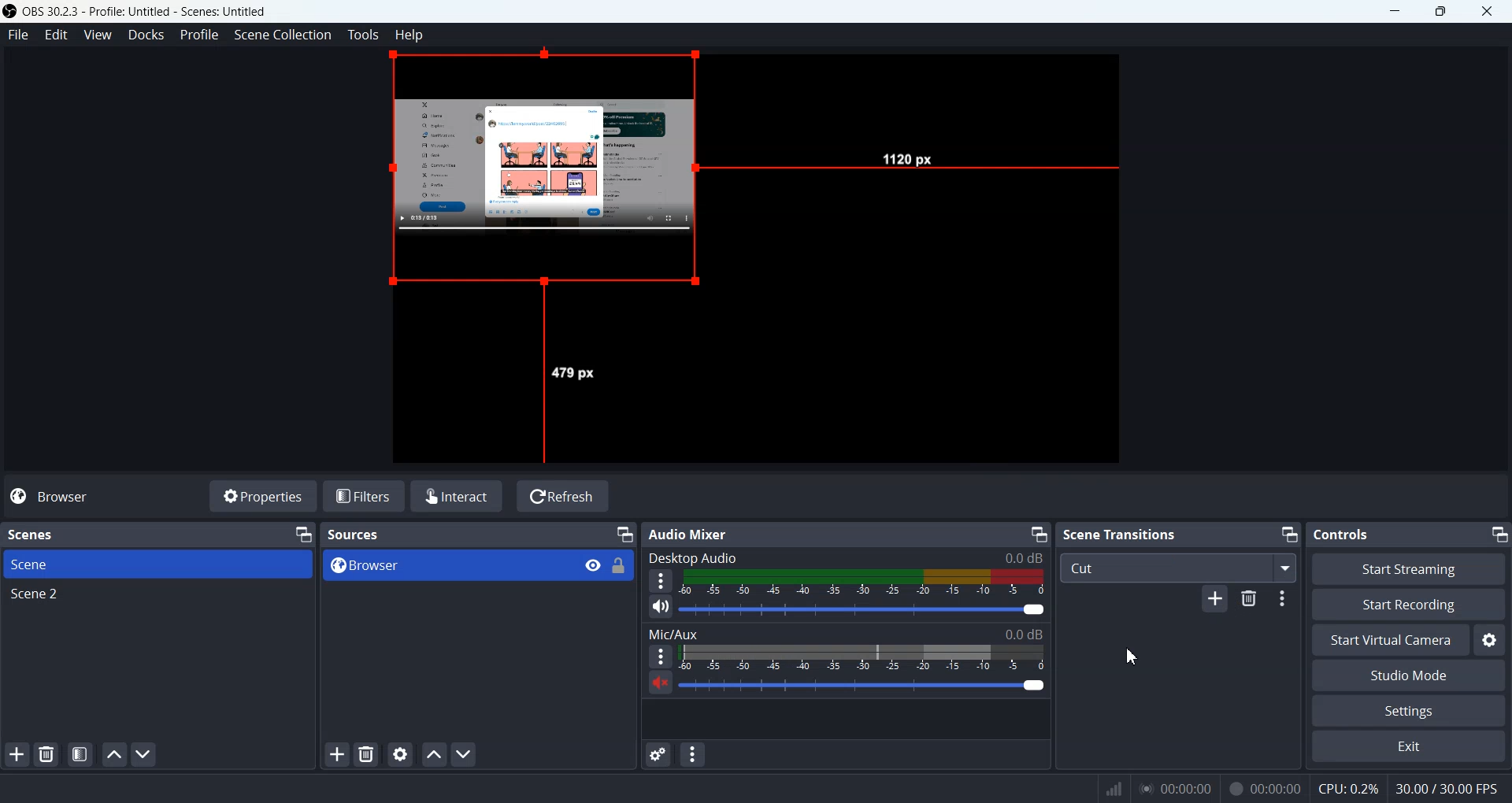  Describe the element at coordinates (457, 496) in the screenshot. I see `Interact` at that location.